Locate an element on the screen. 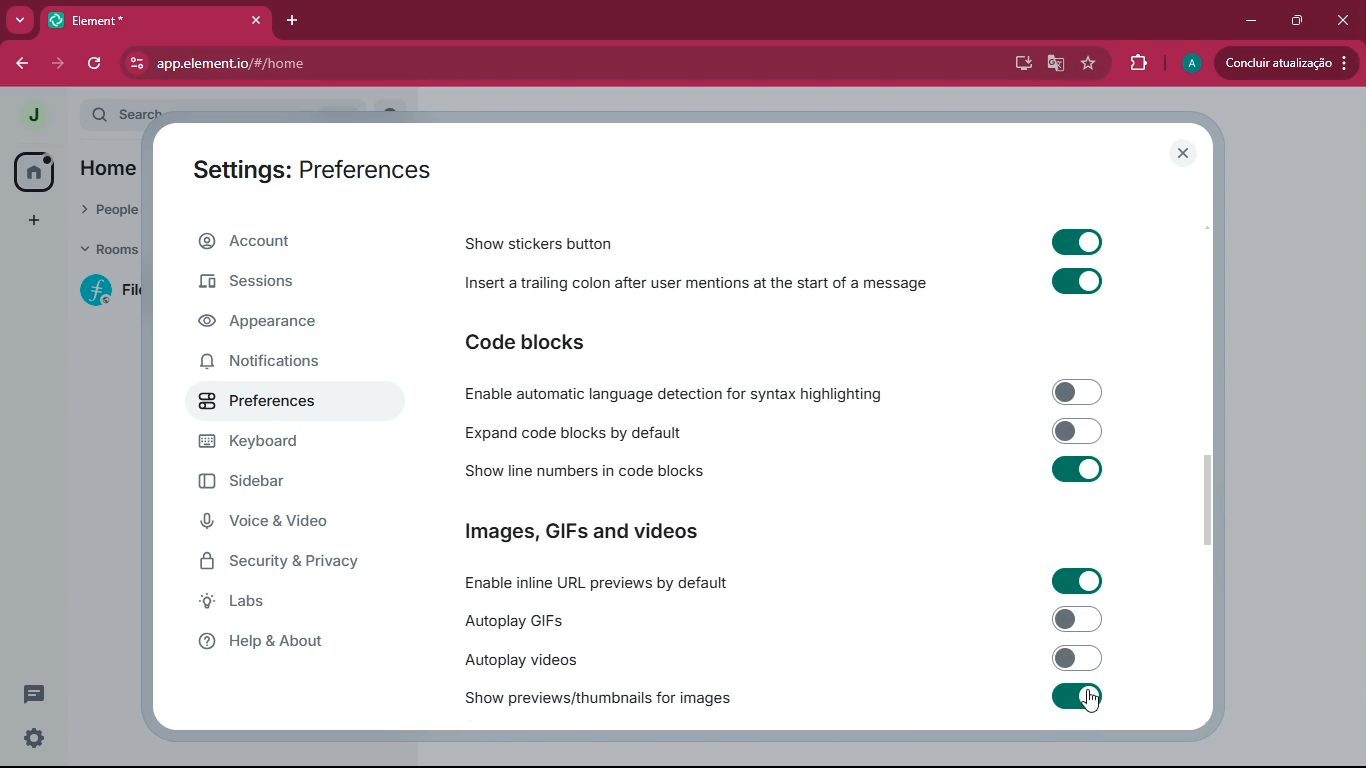 This screenshot has height=768, width=1366. add tab is located at coordinates (294, 20).